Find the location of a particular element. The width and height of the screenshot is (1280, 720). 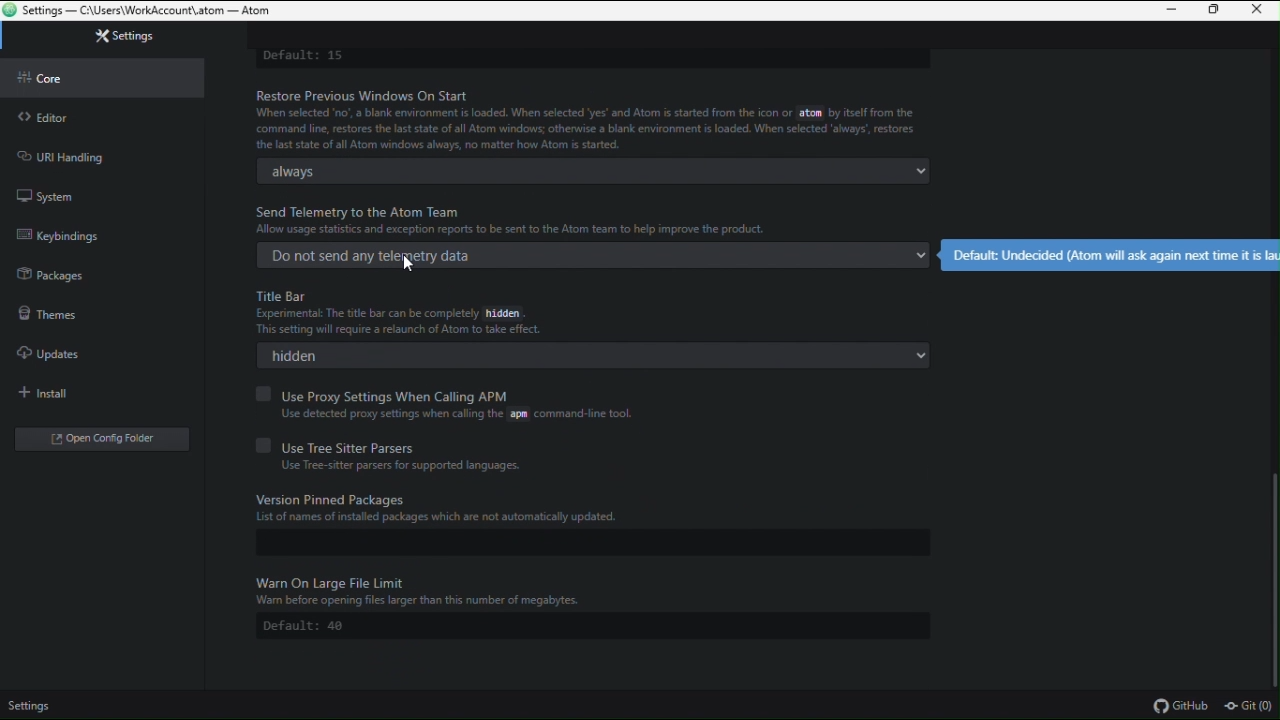

cursor is located at coordinates (408, 267).